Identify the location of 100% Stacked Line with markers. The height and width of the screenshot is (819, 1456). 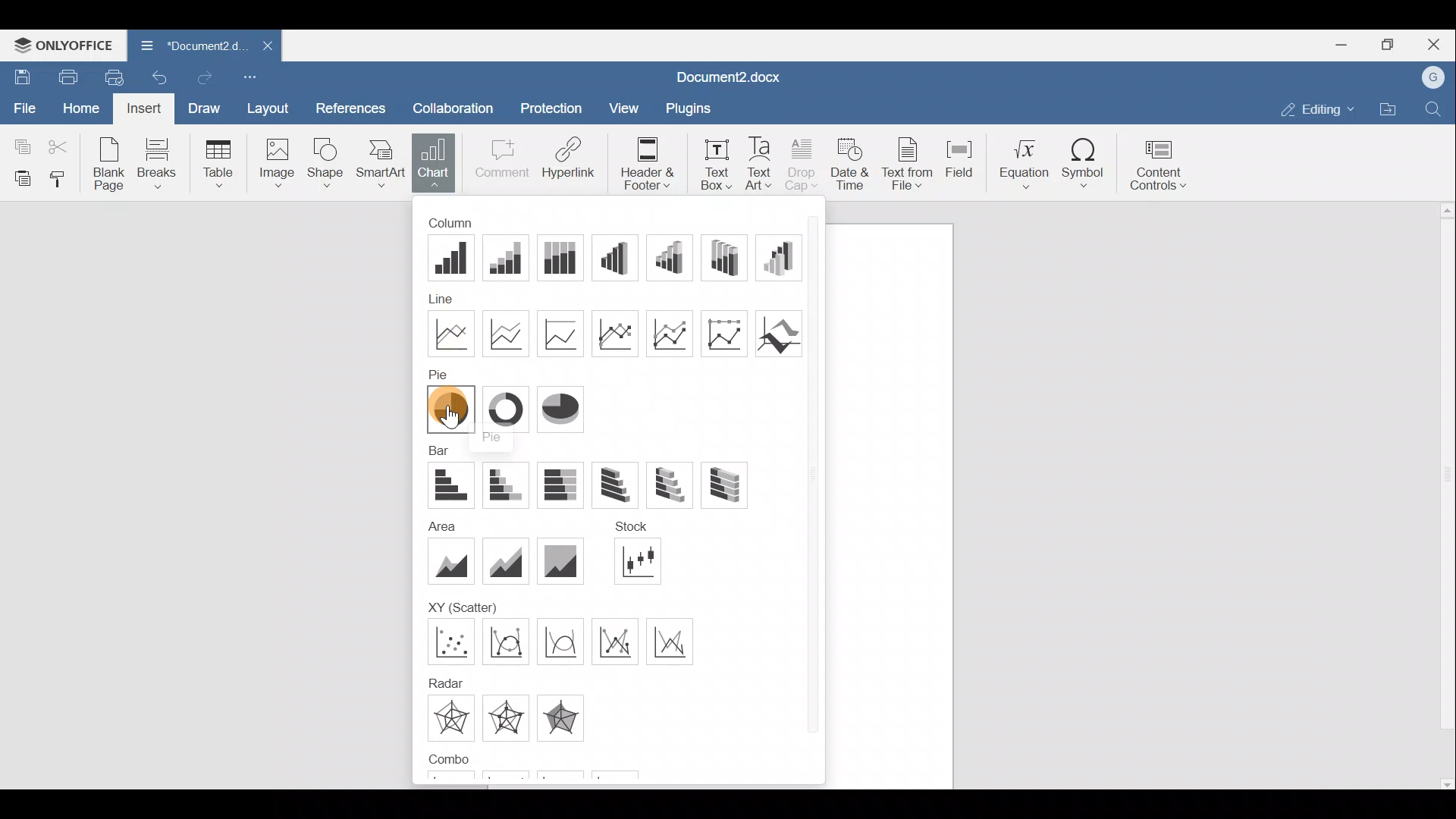
(722, 332).